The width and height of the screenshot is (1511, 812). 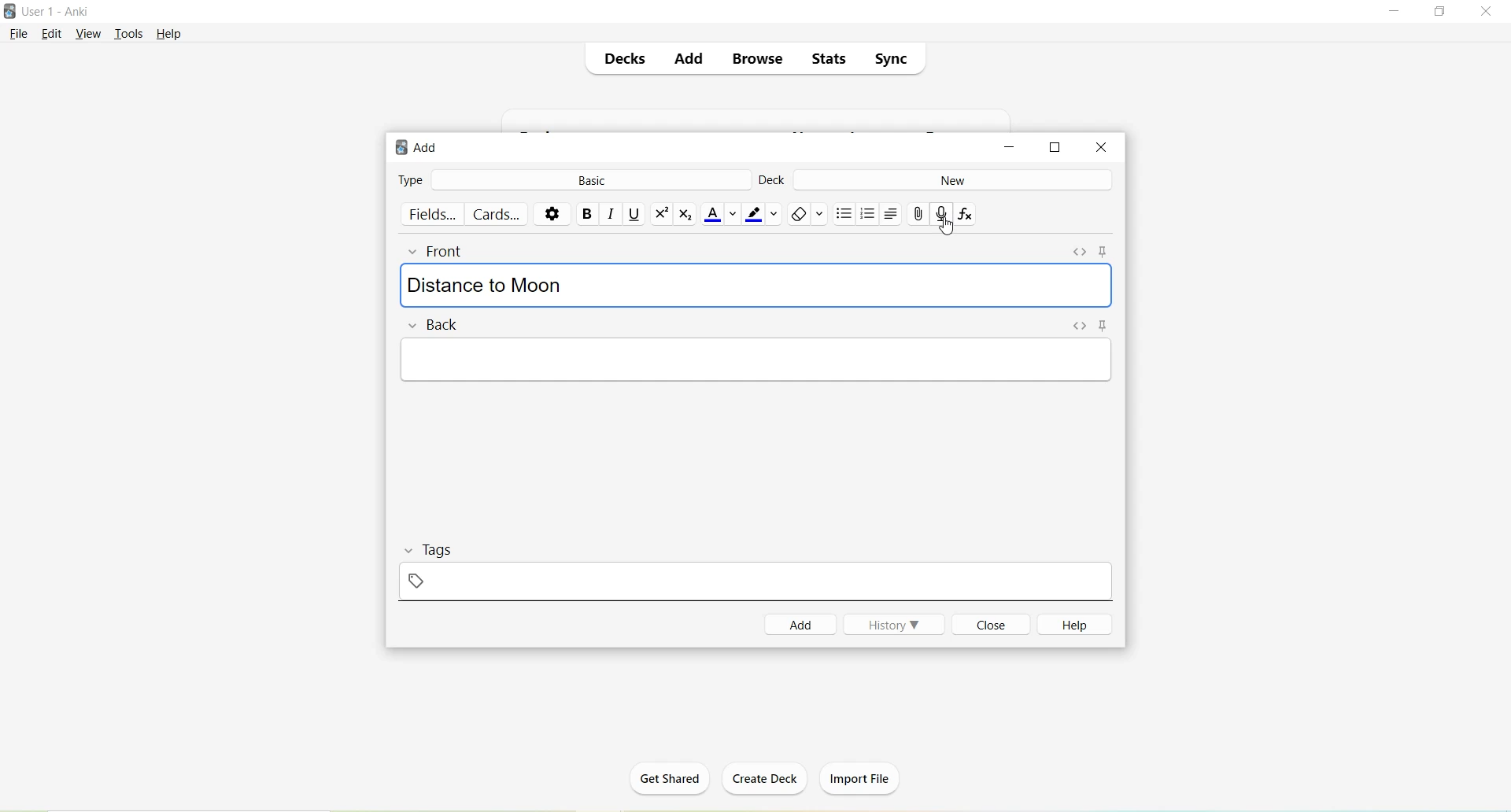 What do you see at coordinates (129, 35) in the screenshot?
I see `Tools` at bounding box center [129, 35].